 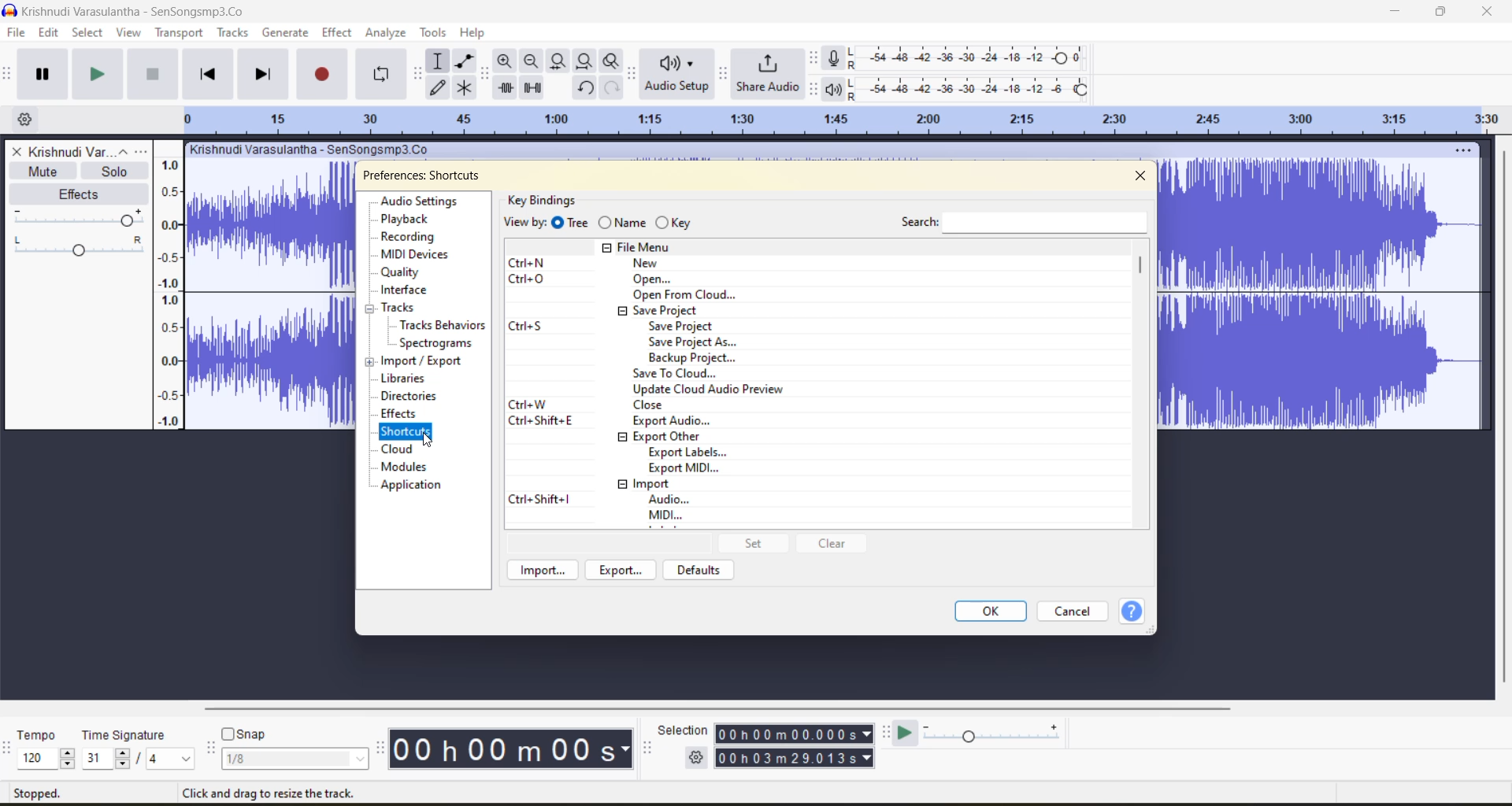 What do you see at coordinates (415, 238) in the screenshot?
I see `recording` at bounding box center [415, 238].